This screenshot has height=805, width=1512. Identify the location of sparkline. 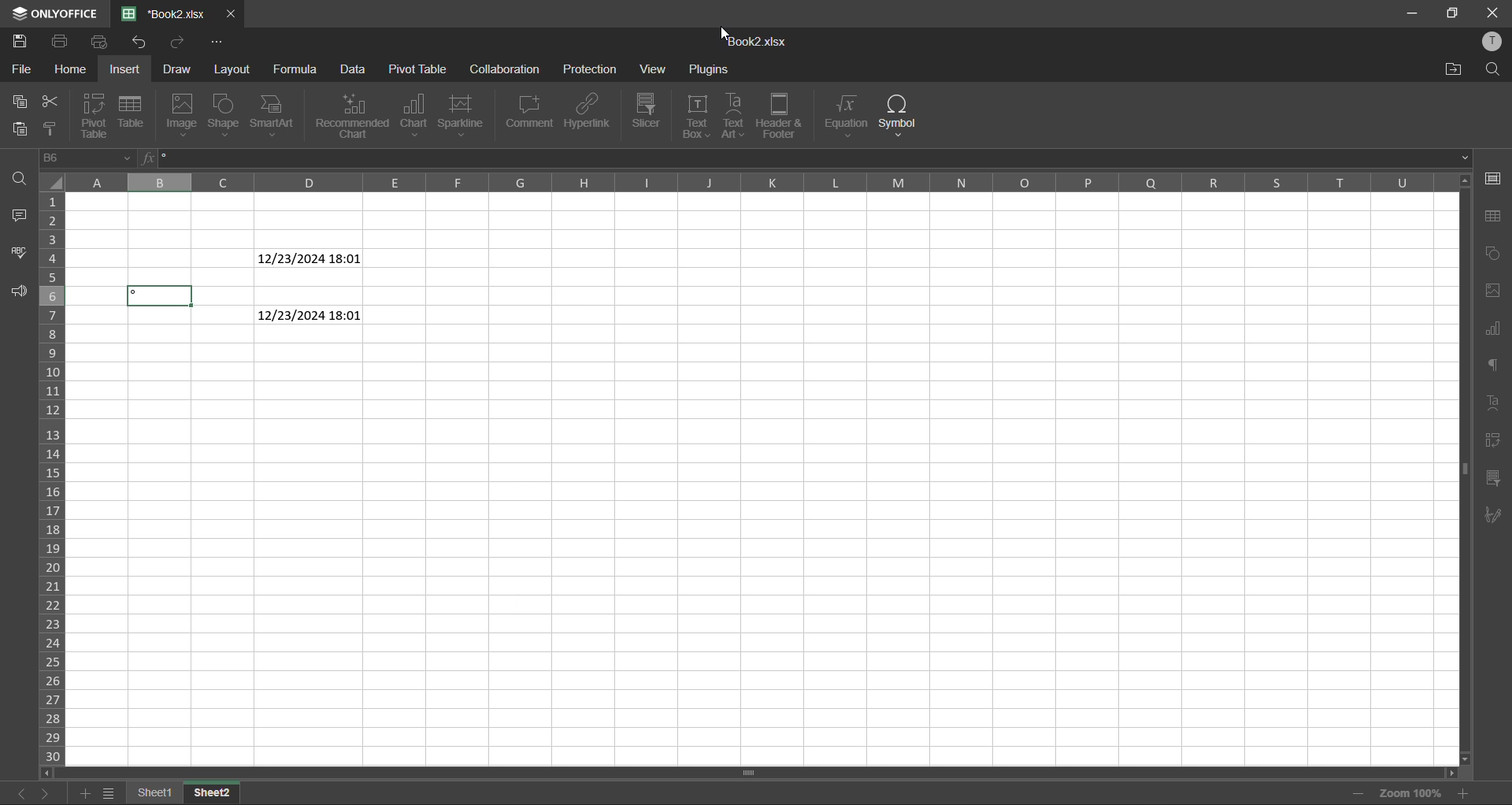
(465, 117).